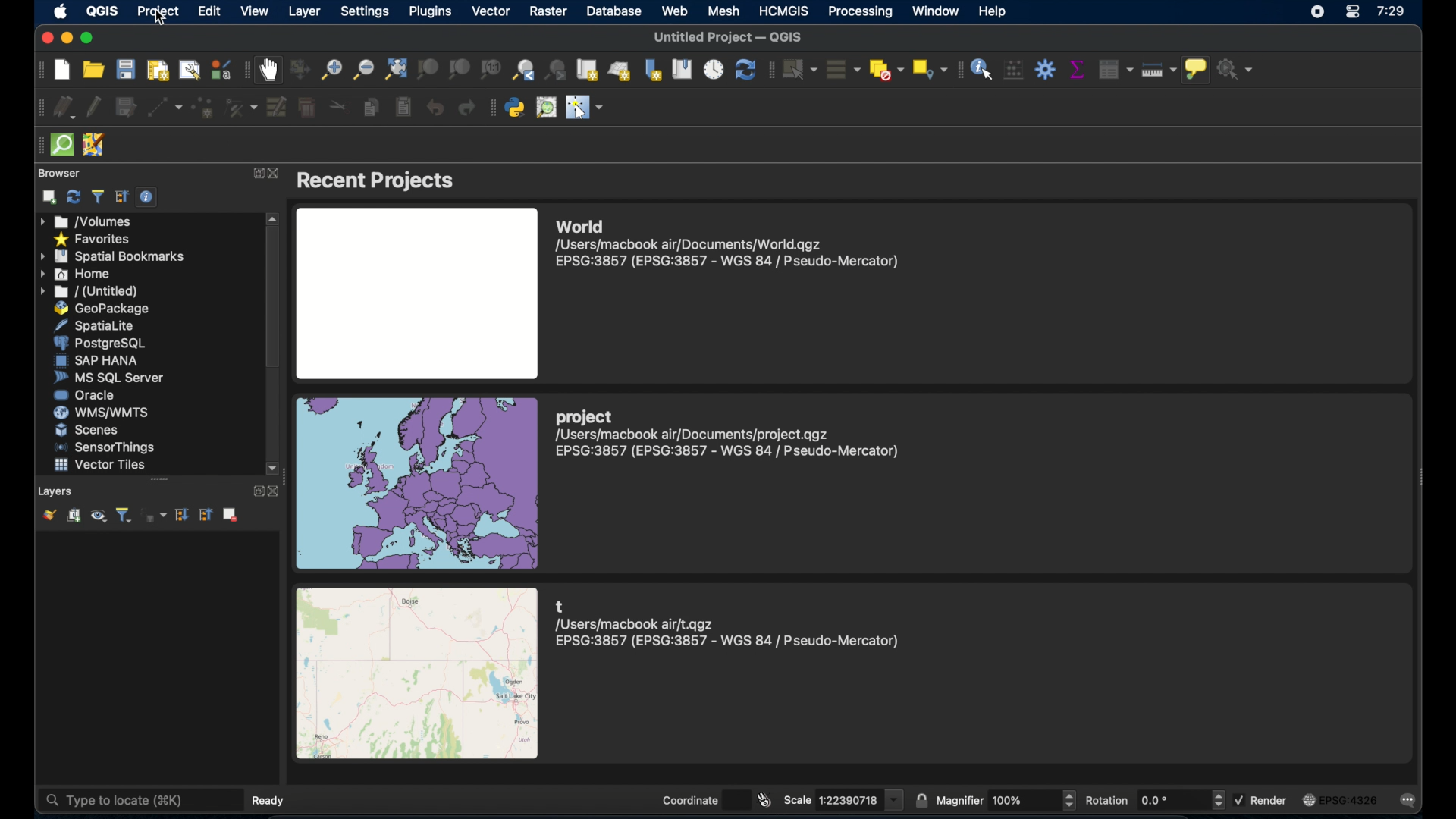 The width and height of the screenshot is (1456, 819). What do you see at coordinates (850, 799) in the screenshot?
I see `scale value` at bounding box center [850, 799].